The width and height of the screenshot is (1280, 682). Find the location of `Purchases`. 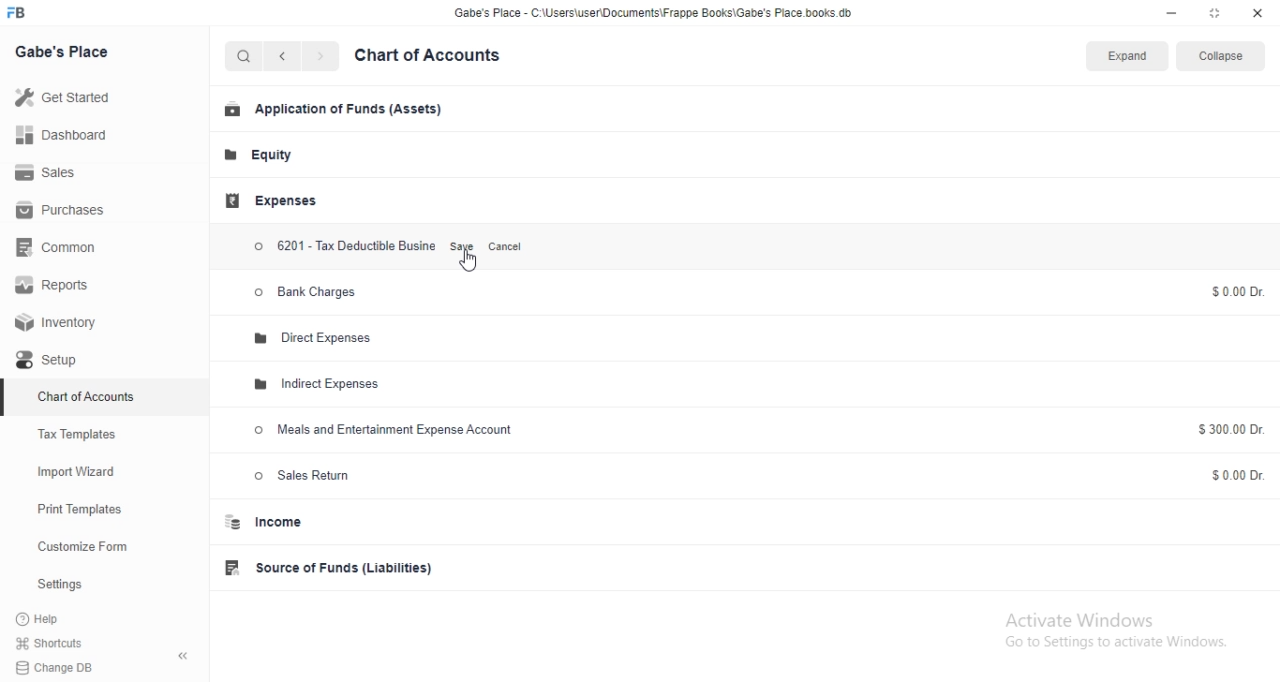

Purchases is located at coordinates (66, 212).